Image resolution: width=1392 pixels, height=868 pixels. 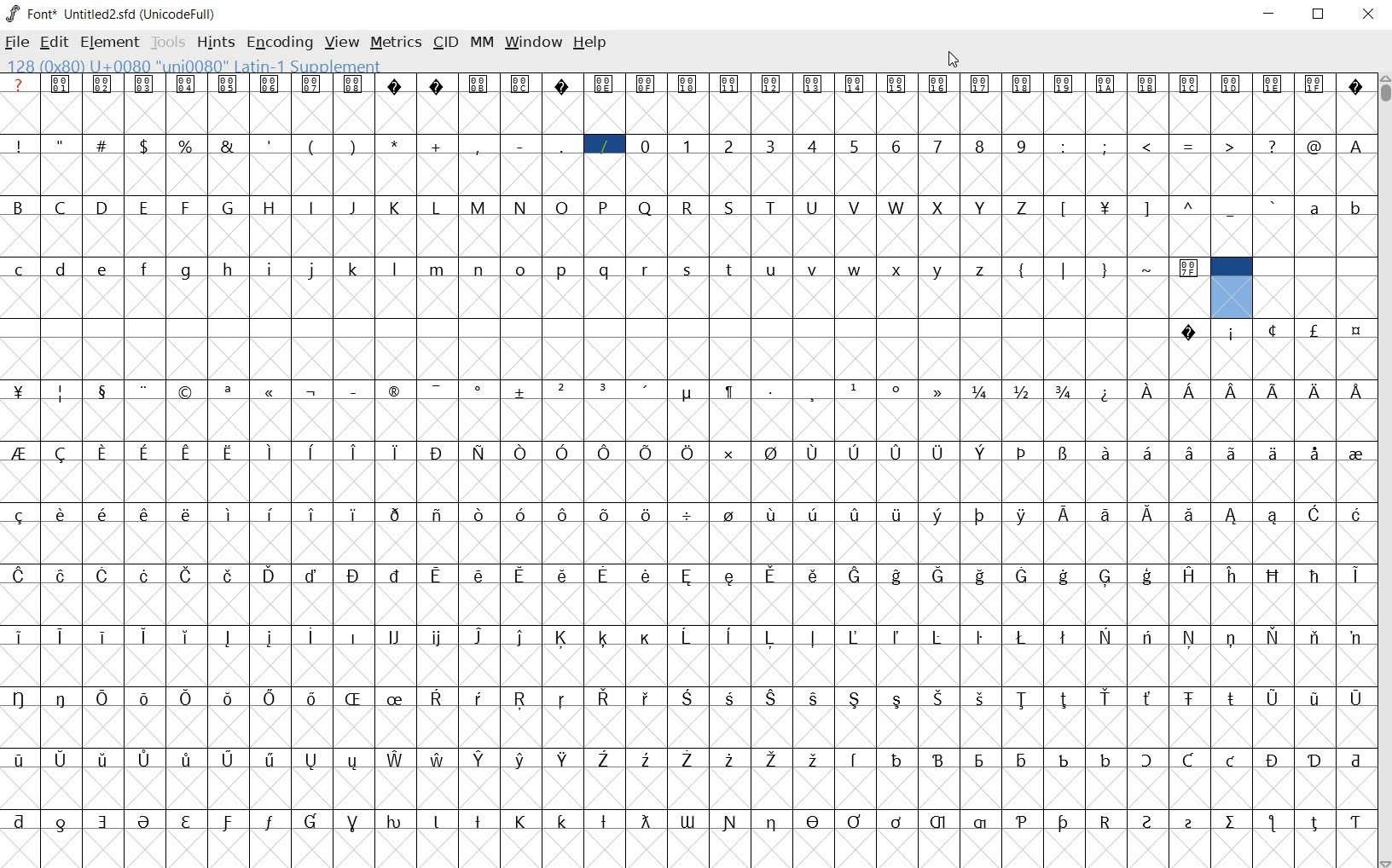 I want to click on Symbol, so click(x=1230, y=698).